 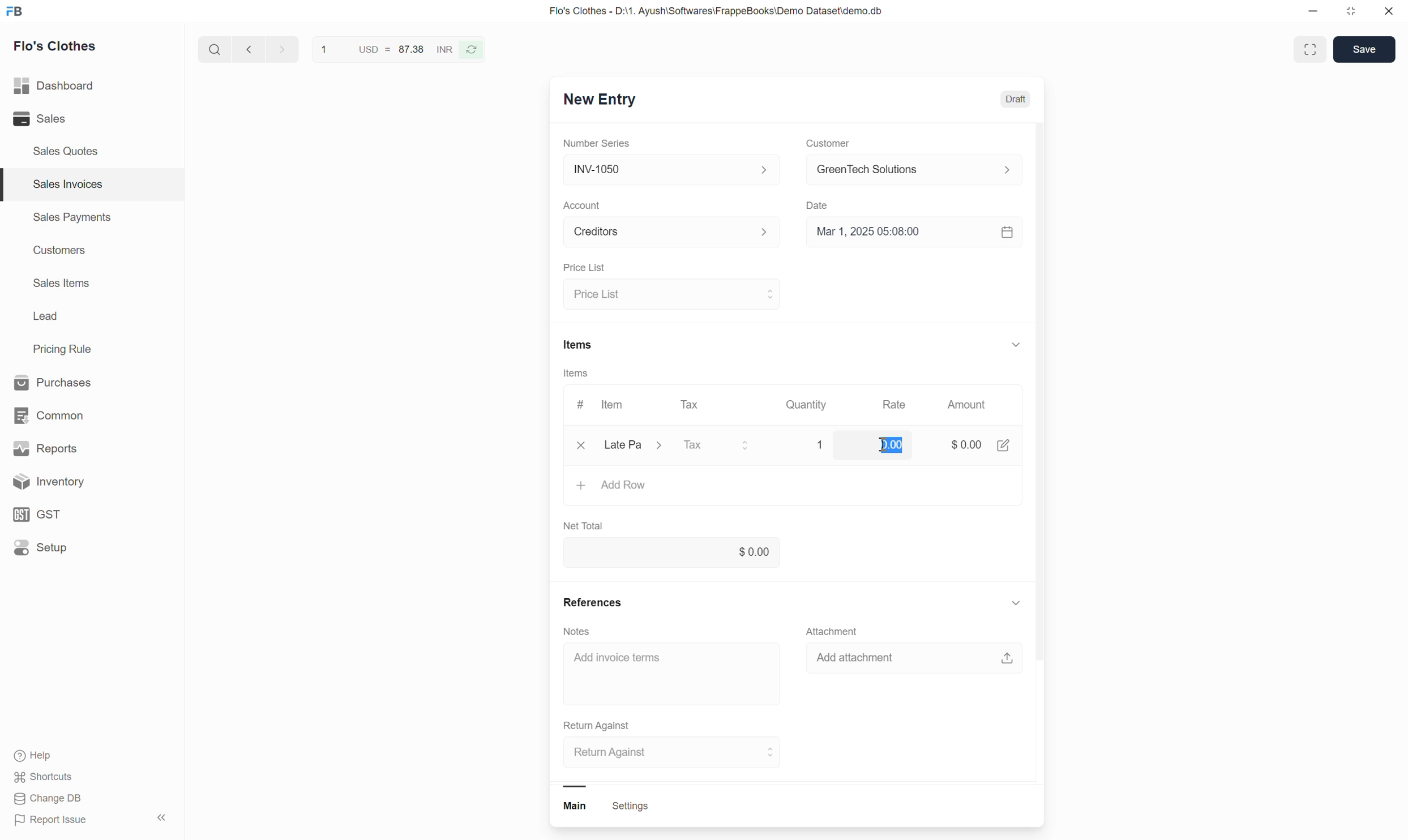 I want to click on Notes, so click(x=577, y=629).